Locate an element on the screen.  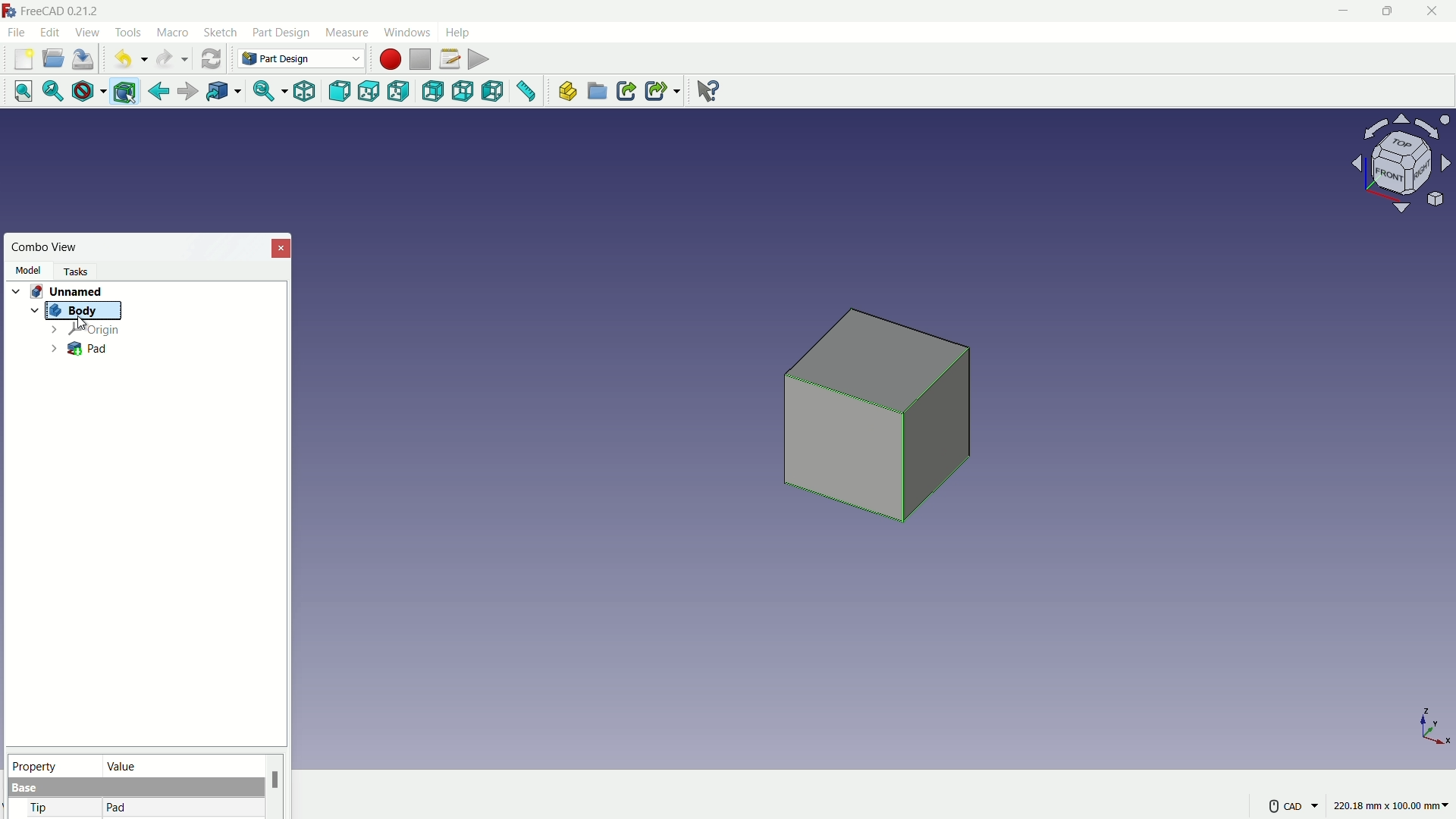
open folder is located at coordinates (53, 59).